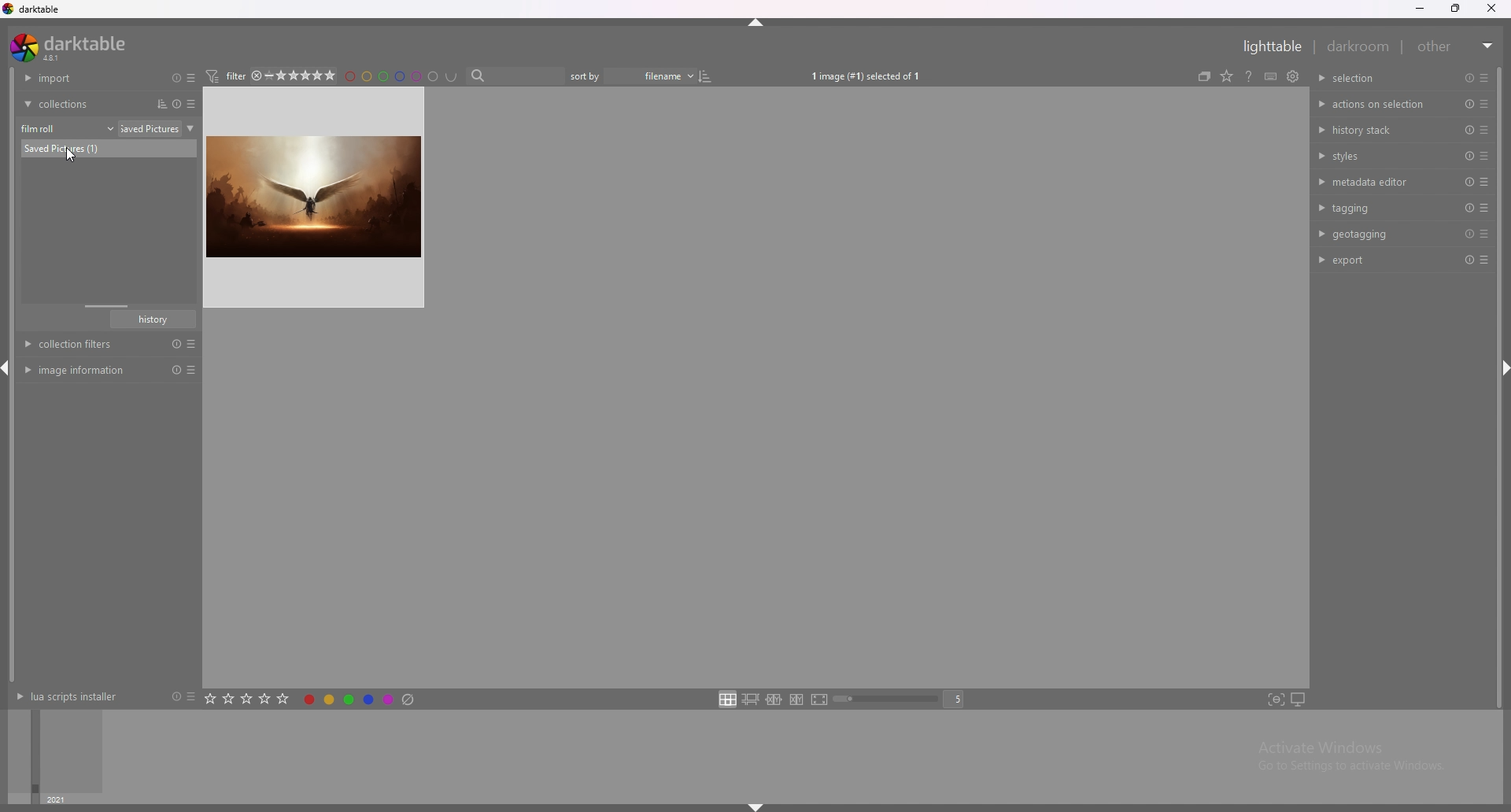 The height and width of the screenshot is (812, 1511). What do you see at coordinates (1468, 260) in the screenshot?
I see `reset` at bounding box center [1468, 260].